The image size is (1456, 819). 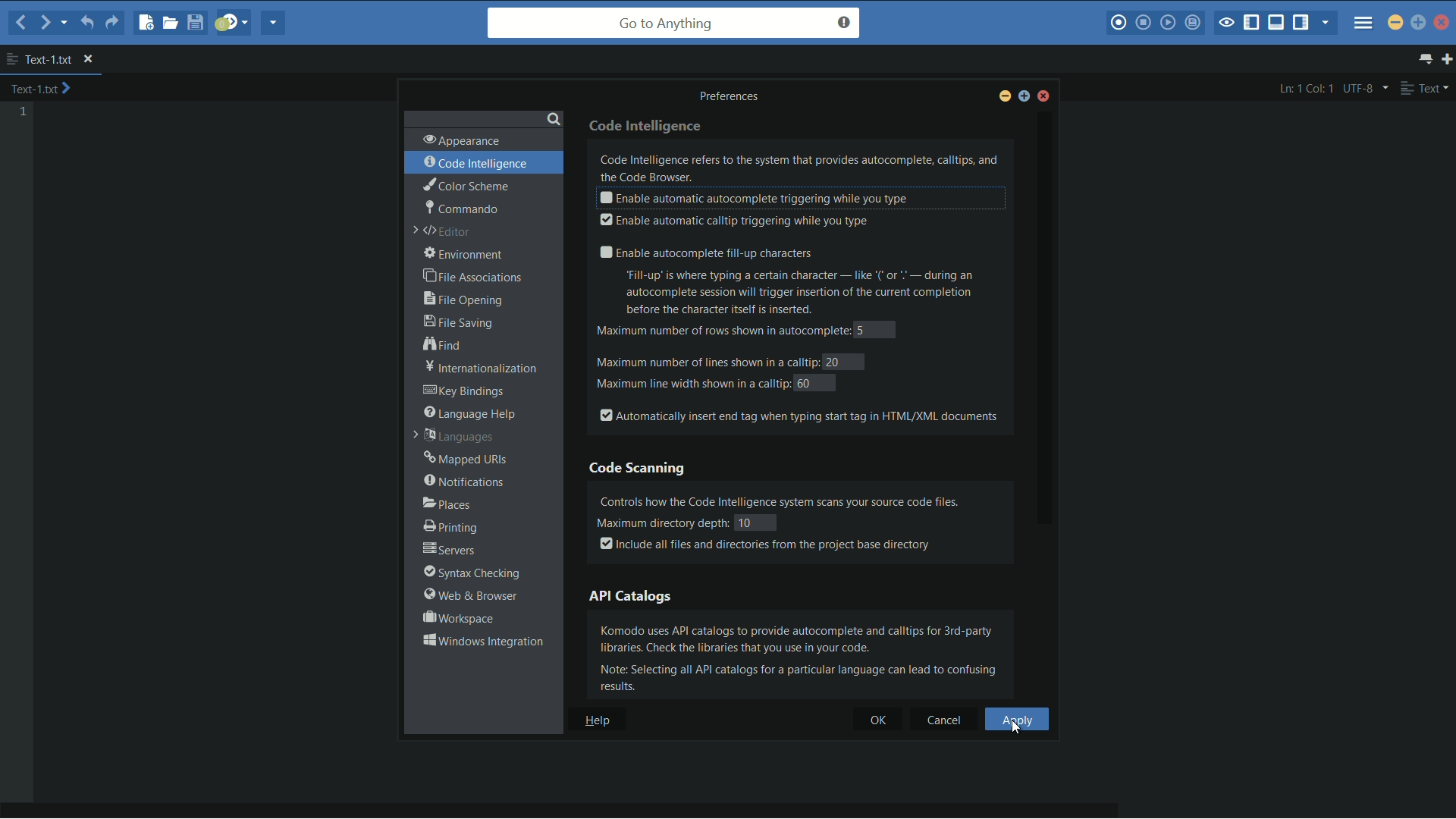 I want to click on ok, so click(x=870, y=720).